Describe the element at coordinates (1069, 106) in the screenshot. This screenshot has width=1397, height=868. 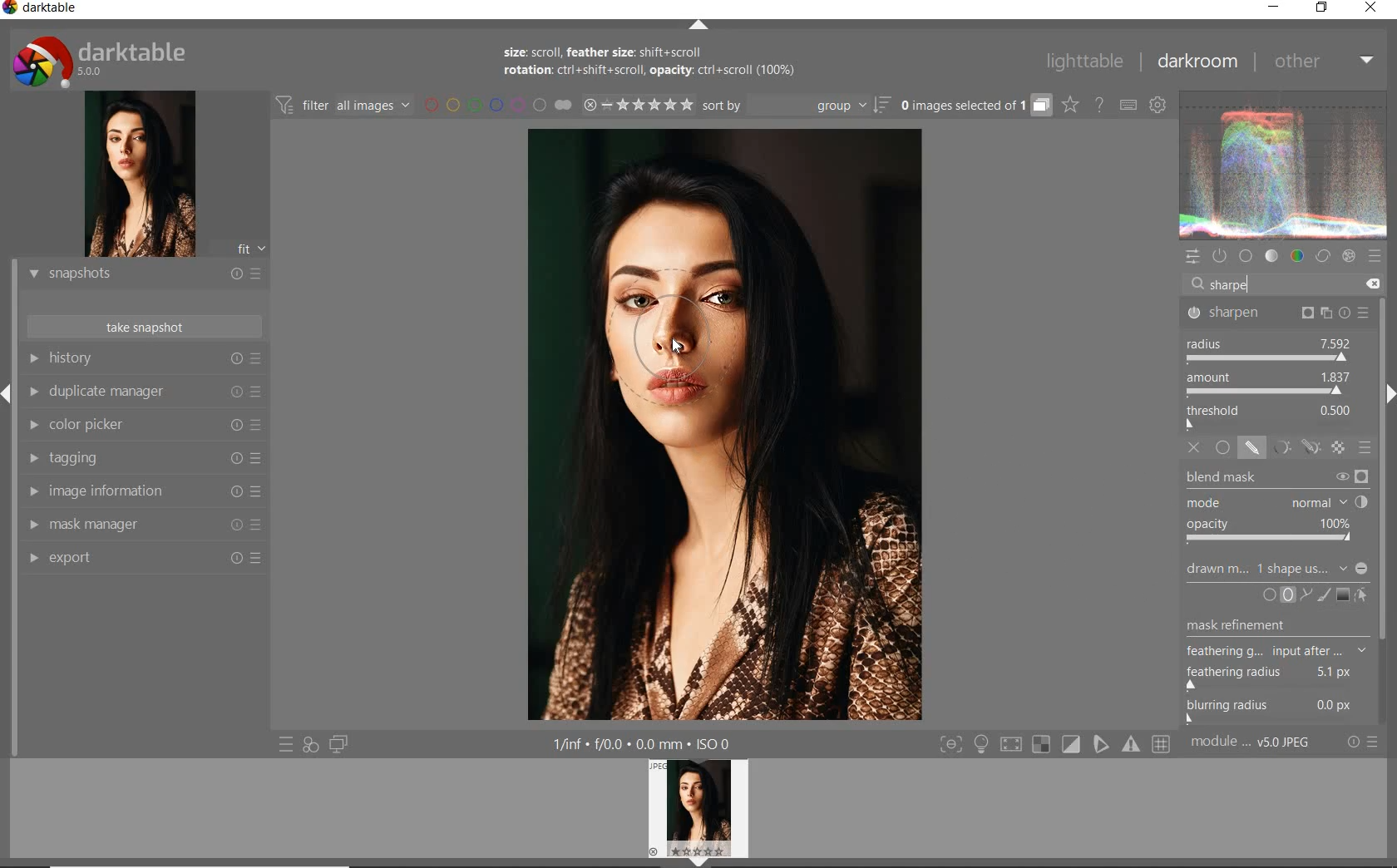
I see `change overlays shown on thumbnails` at that location.